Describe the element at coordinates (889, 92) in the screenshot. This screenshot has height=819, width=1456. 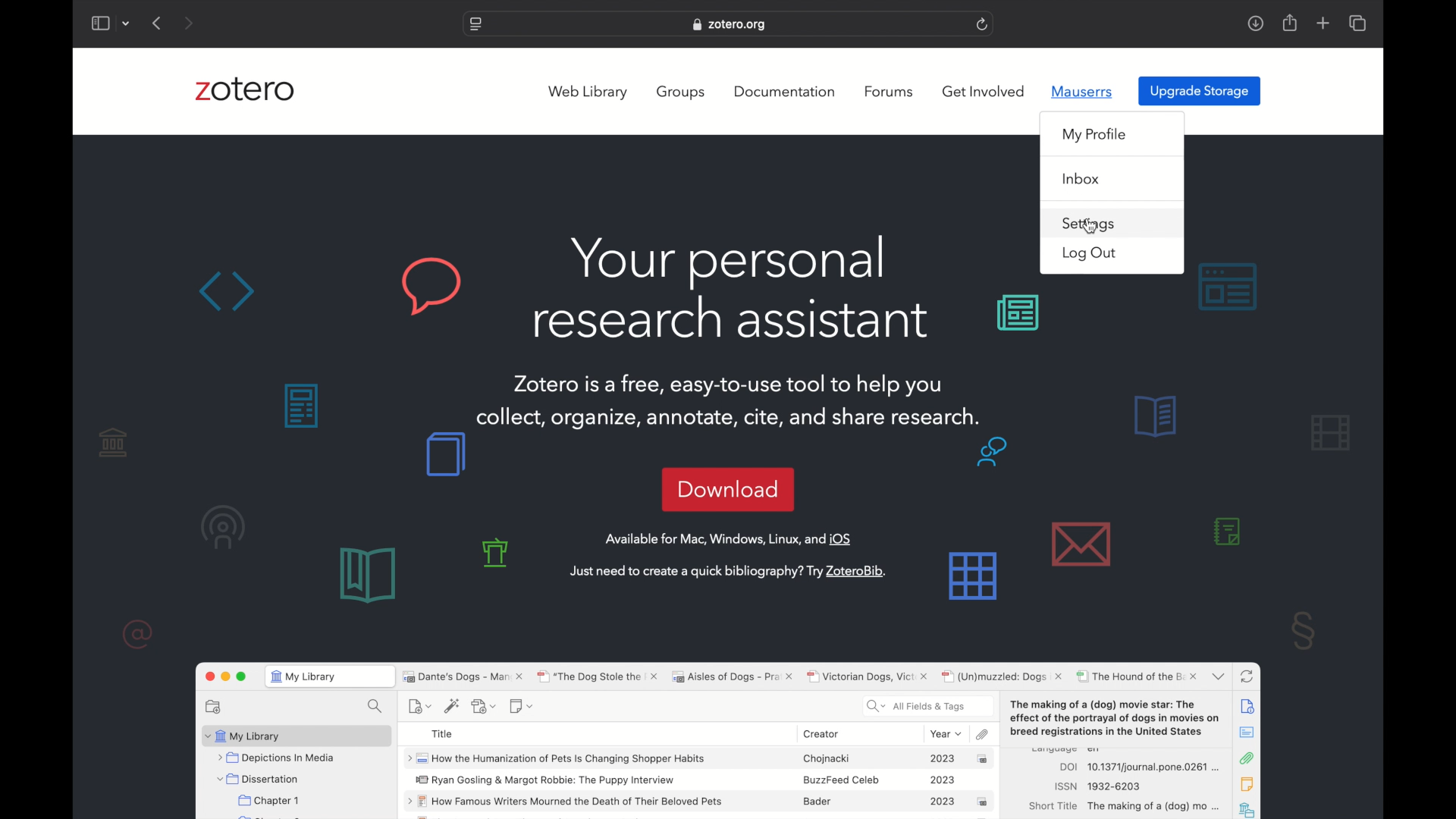
I see `forums` at that location.